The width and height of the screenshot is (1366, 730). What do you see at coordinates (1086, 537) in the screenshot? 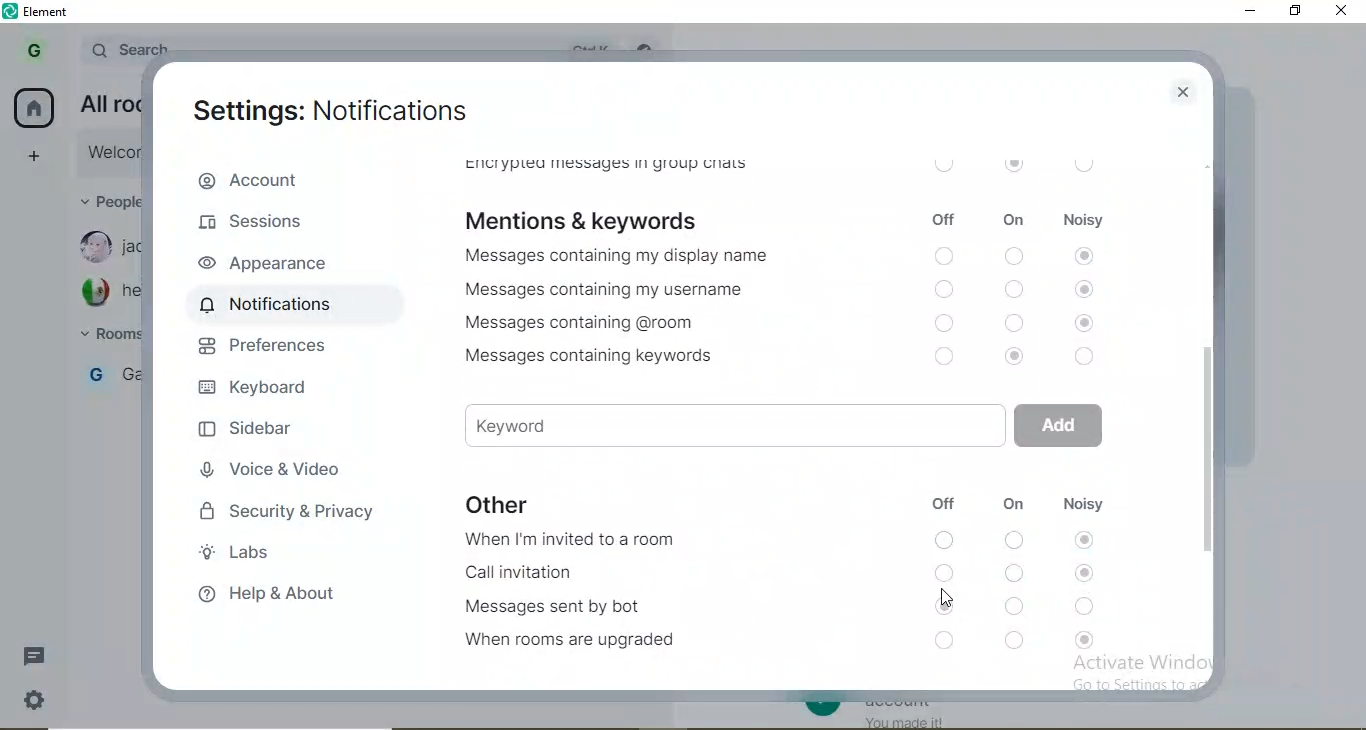
I see `noisy switch` at bounding box center [1086, 537].